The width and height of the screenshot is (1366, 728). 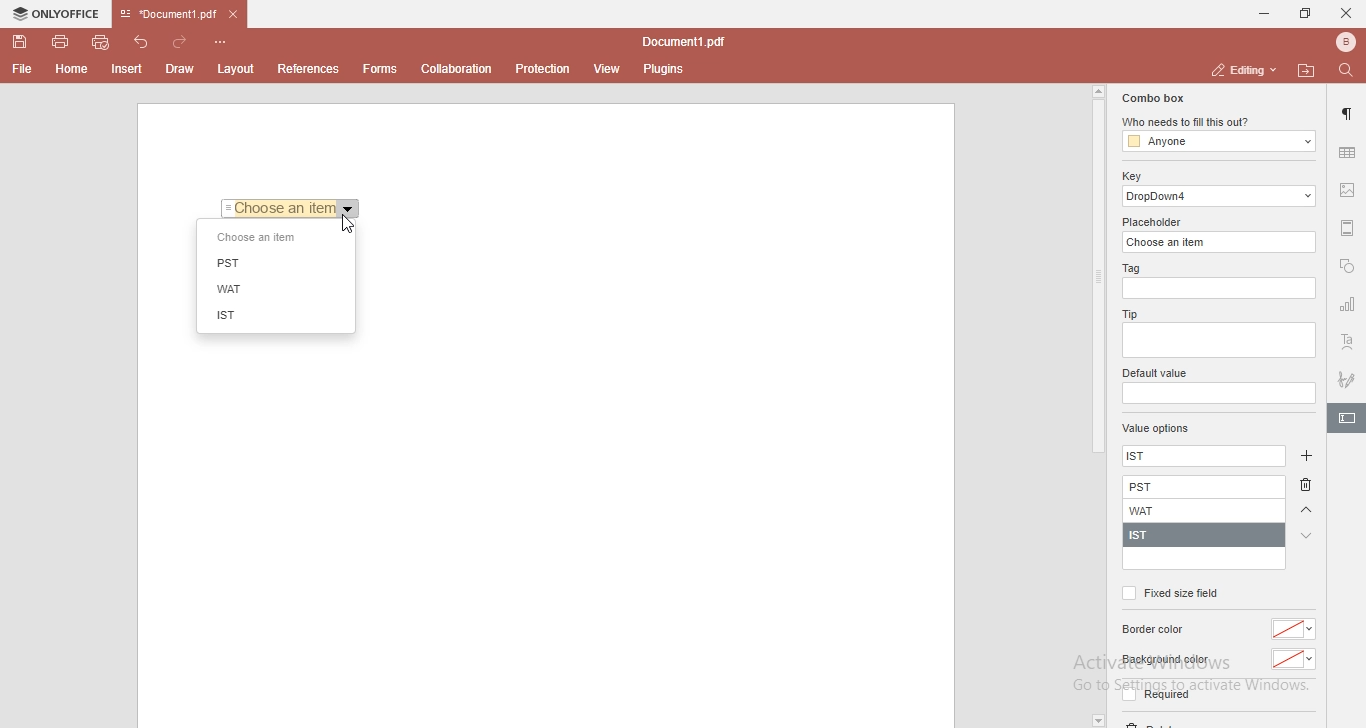 I want to click on add button , so click(x=1305, y=454).